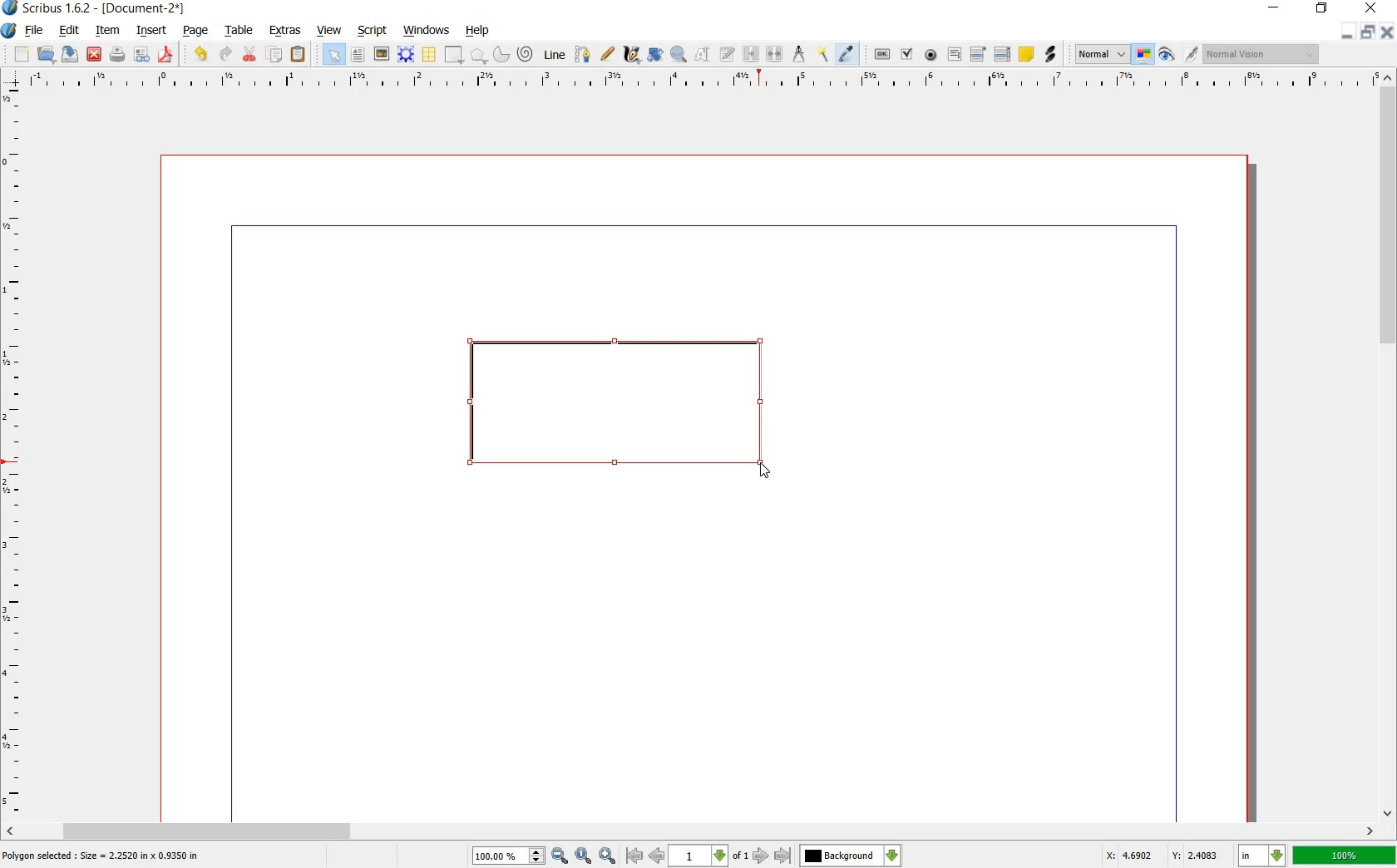  I want to click on TABLE, so click(240, 32).